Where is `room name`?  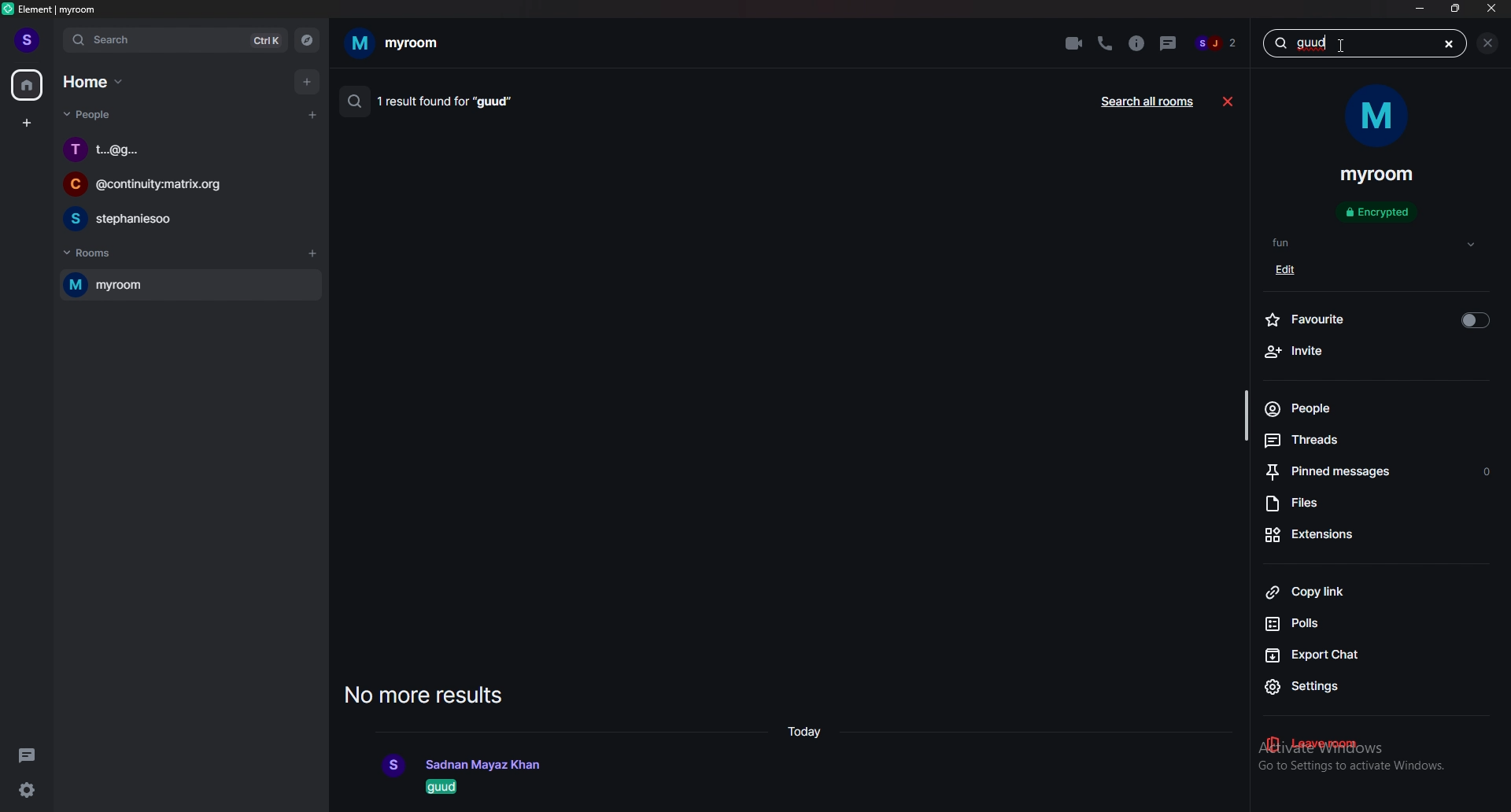
room name is located at coordinates (1381, 175).